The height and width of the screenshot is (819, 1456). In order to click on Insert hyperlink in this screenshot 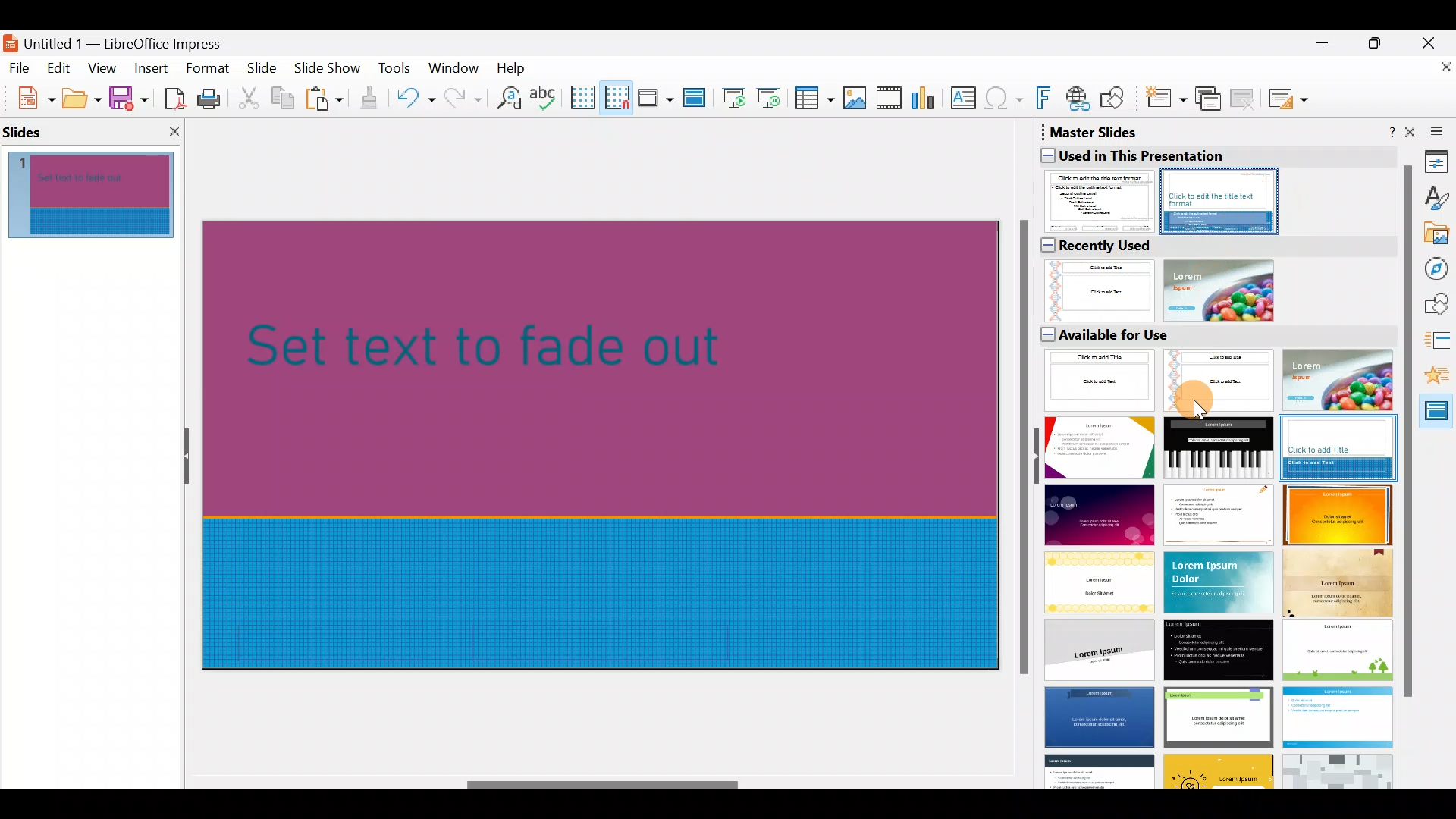, I will do `click(1079, 98)`.